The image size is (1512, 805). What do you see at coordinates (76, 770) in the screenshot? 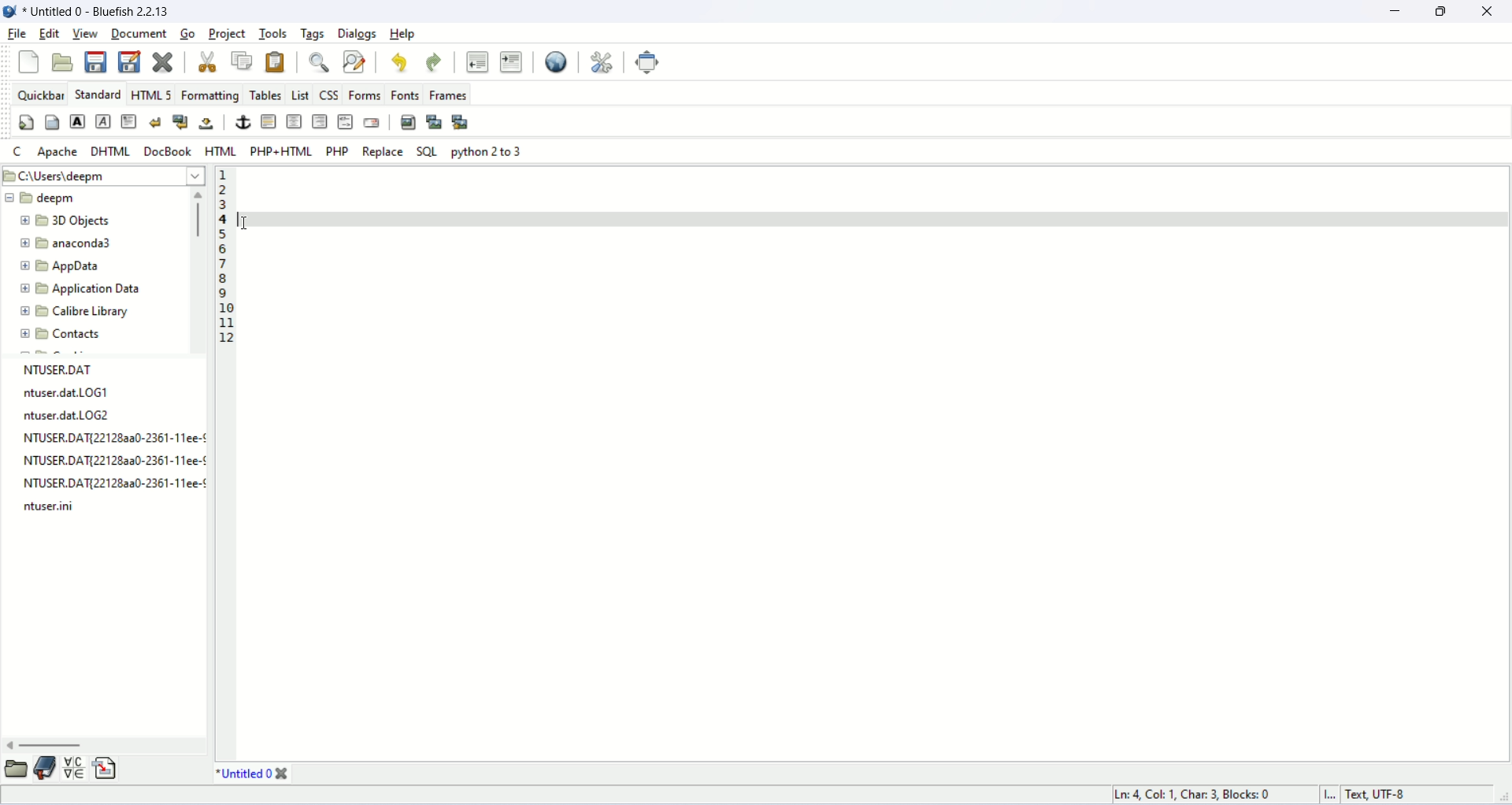
I see `char map` at bounding box center [76, 770].